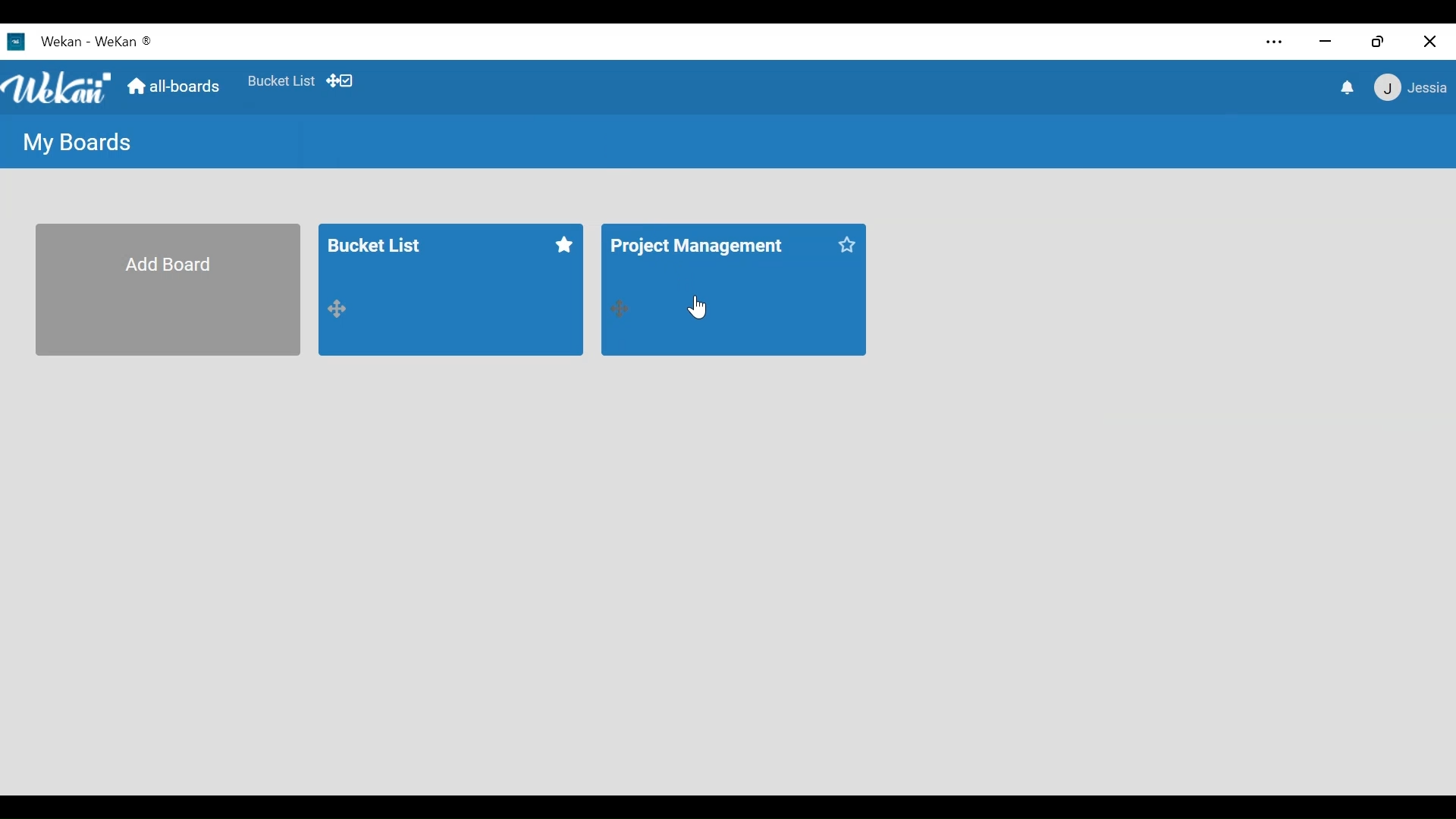 The height and width of the screenshot is (819, 1456). Describe the element at coordinates (854, 246) in the screenshot. I see `click to start this board` at that location.